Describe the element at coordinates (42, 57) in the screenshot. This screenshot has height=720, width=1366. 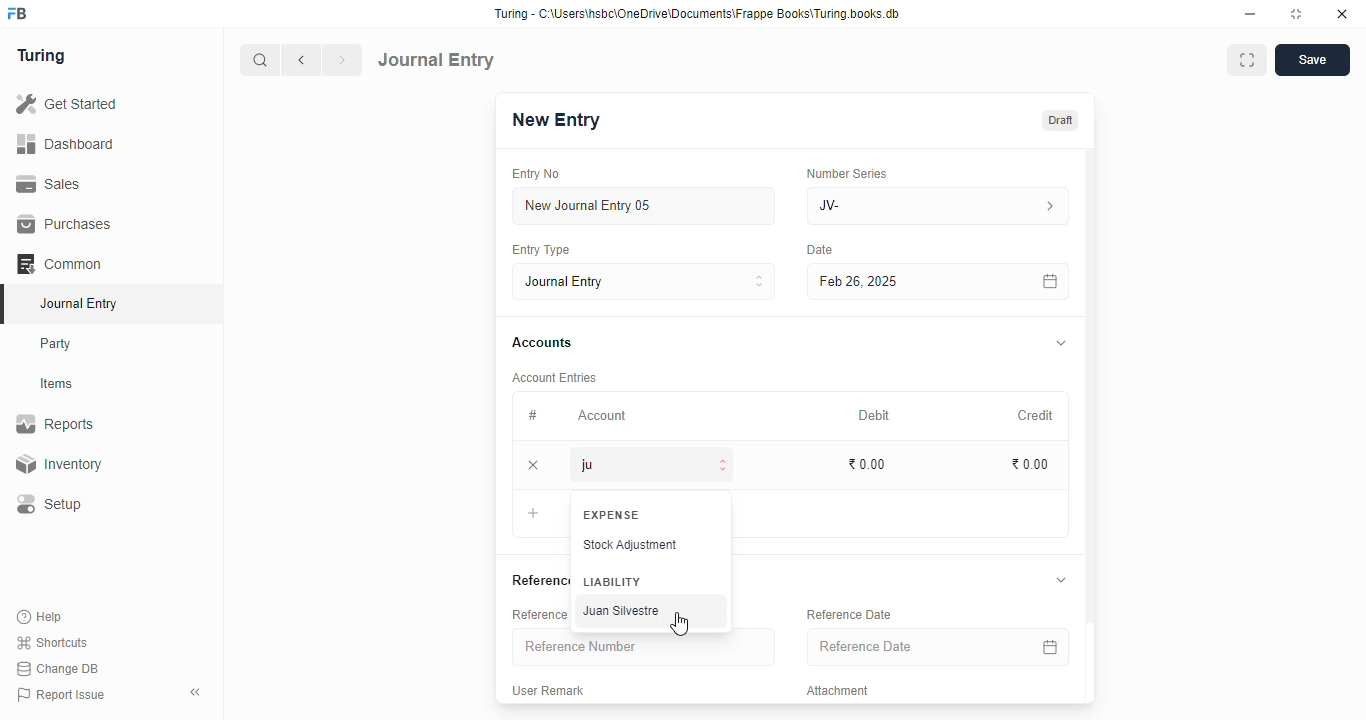
I see `turing` at that location.